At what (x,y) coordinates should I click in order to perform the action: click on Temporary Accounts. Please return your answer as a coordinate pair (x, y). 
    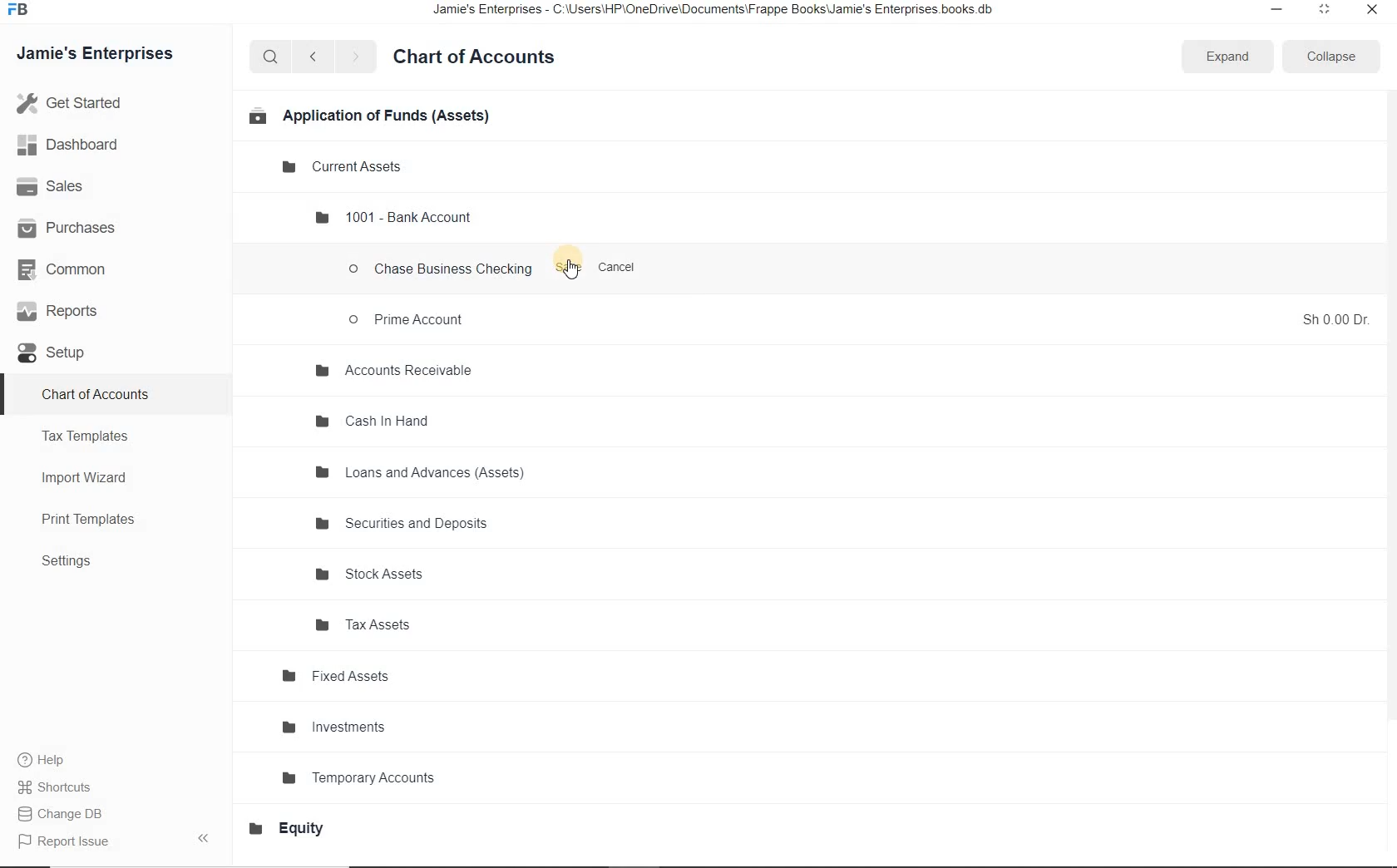
    Looking at the image, I should click on (365, 776).